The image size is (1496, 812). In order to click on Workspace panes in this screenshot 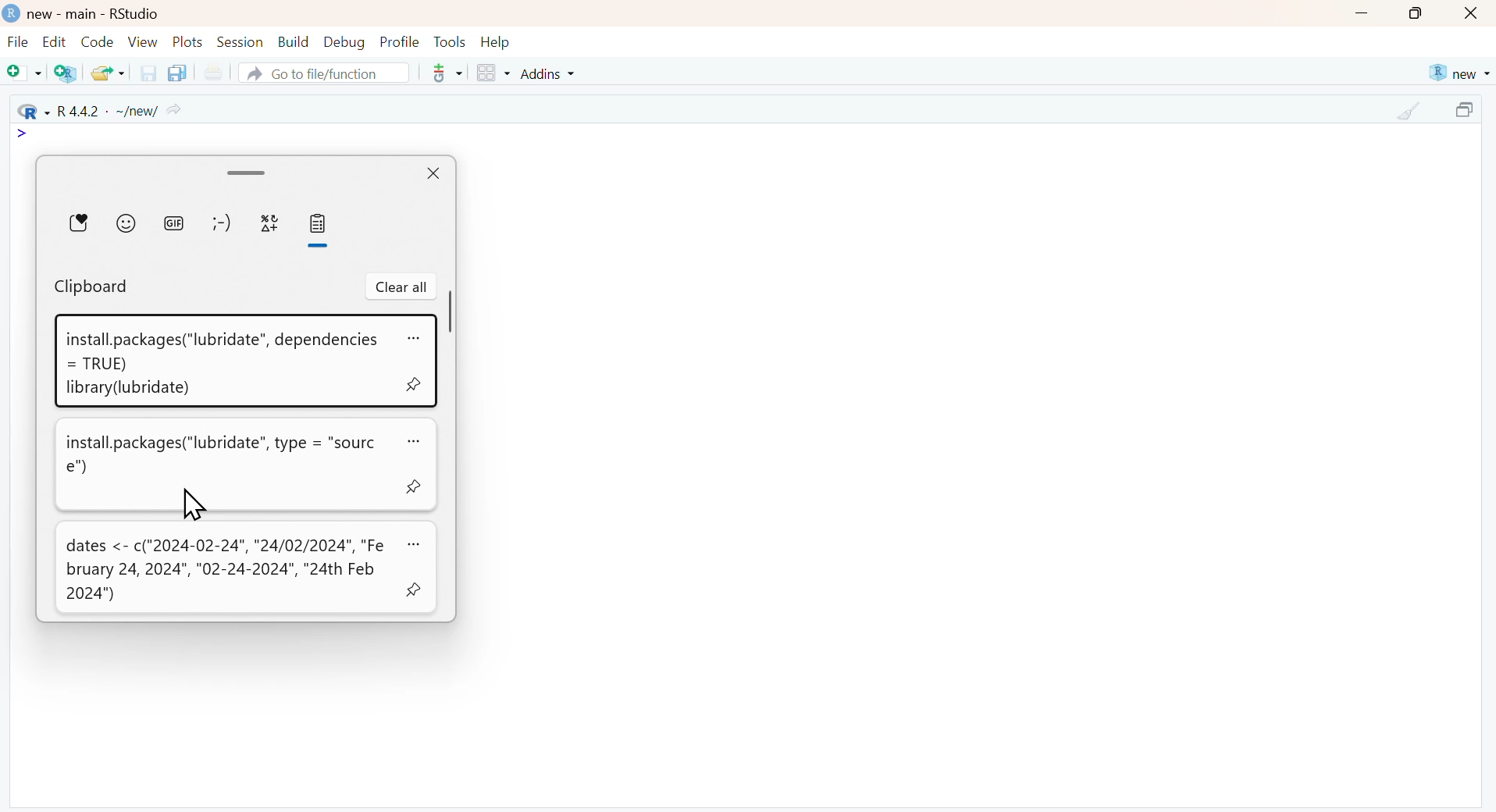, I will do `click(493, 74)`.